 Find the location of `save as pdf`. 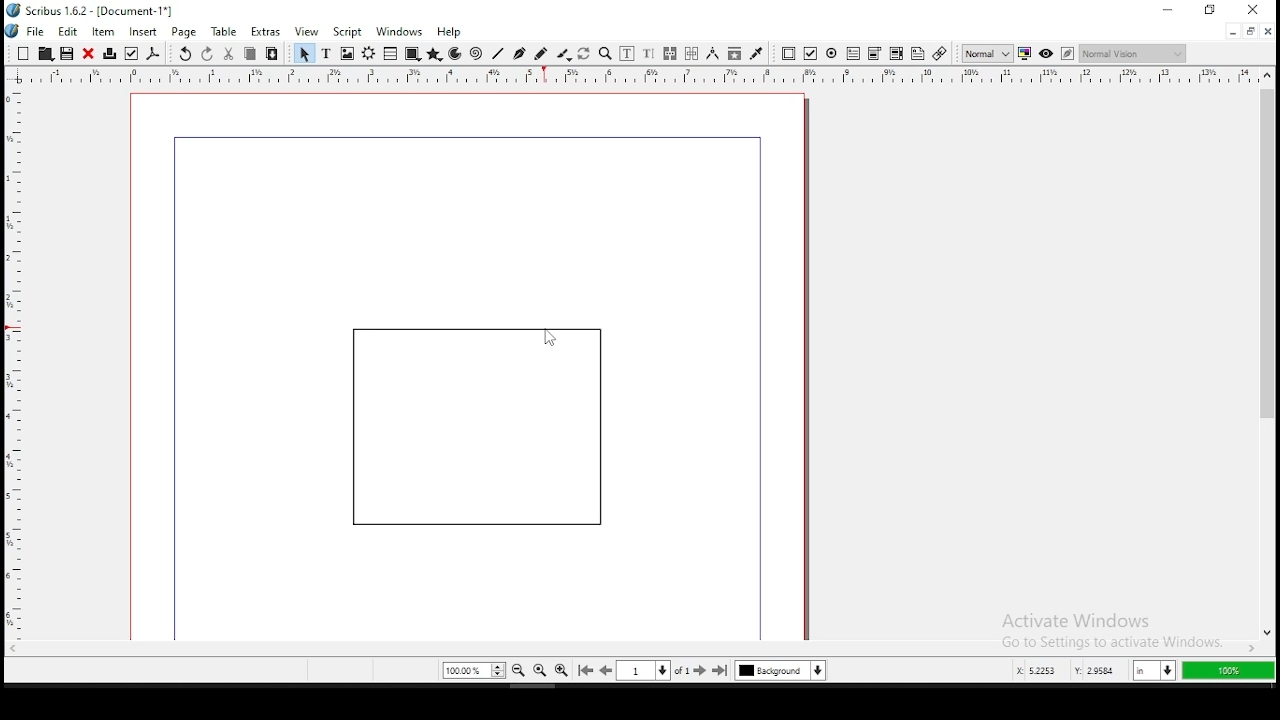

save as pdf is located at coordinates (153, 54).